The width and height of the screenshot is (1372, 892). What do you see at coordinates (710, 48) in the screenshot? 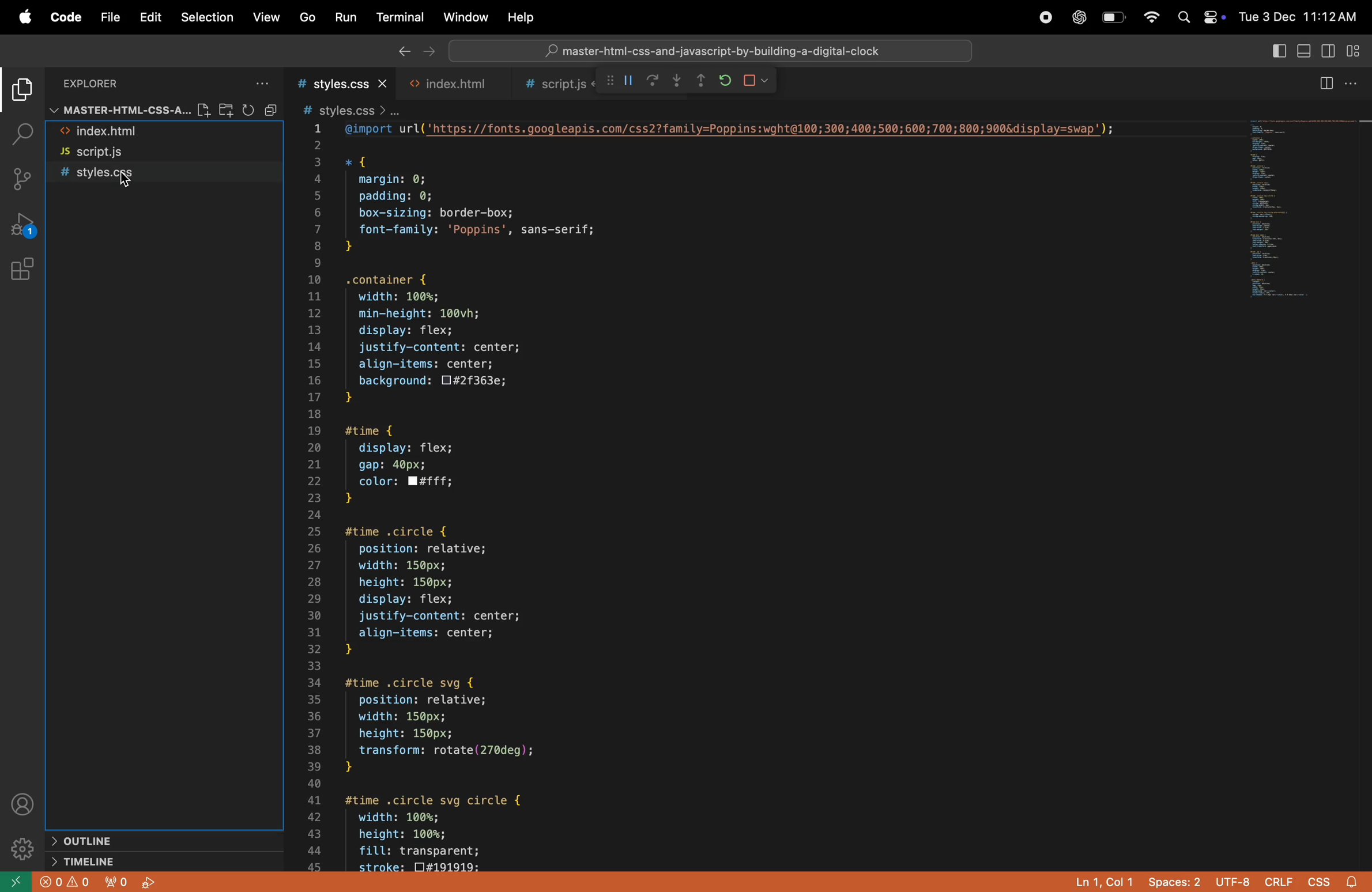
I see `search bar` at bounding box center [710, 48].